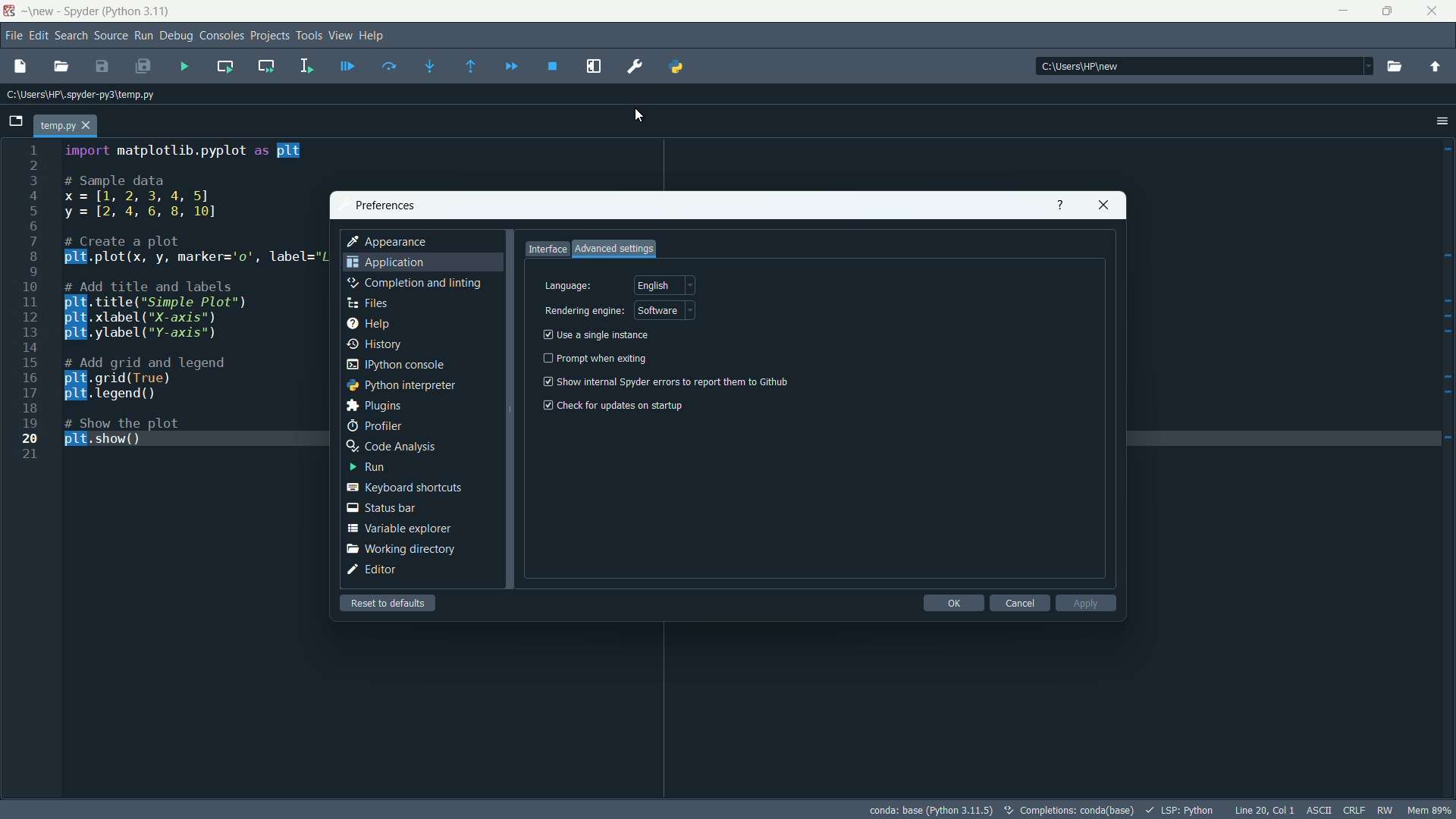  I want to click on consoles, so click(221, 37).